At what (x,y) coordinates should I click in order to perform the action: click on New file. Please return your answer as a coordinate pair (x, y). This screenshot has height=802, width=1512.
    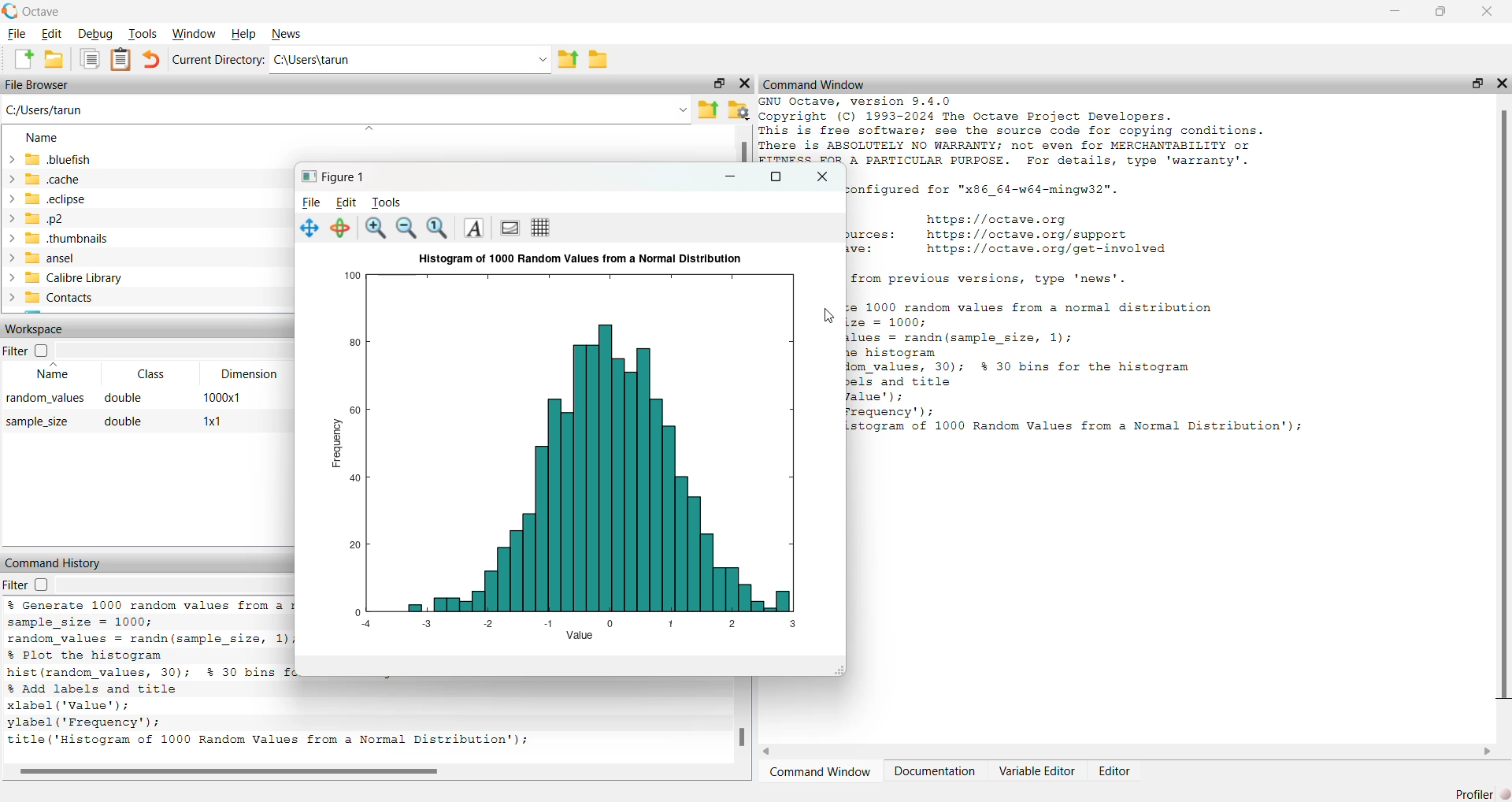
    Looking at the image, I should click on (23, 58).